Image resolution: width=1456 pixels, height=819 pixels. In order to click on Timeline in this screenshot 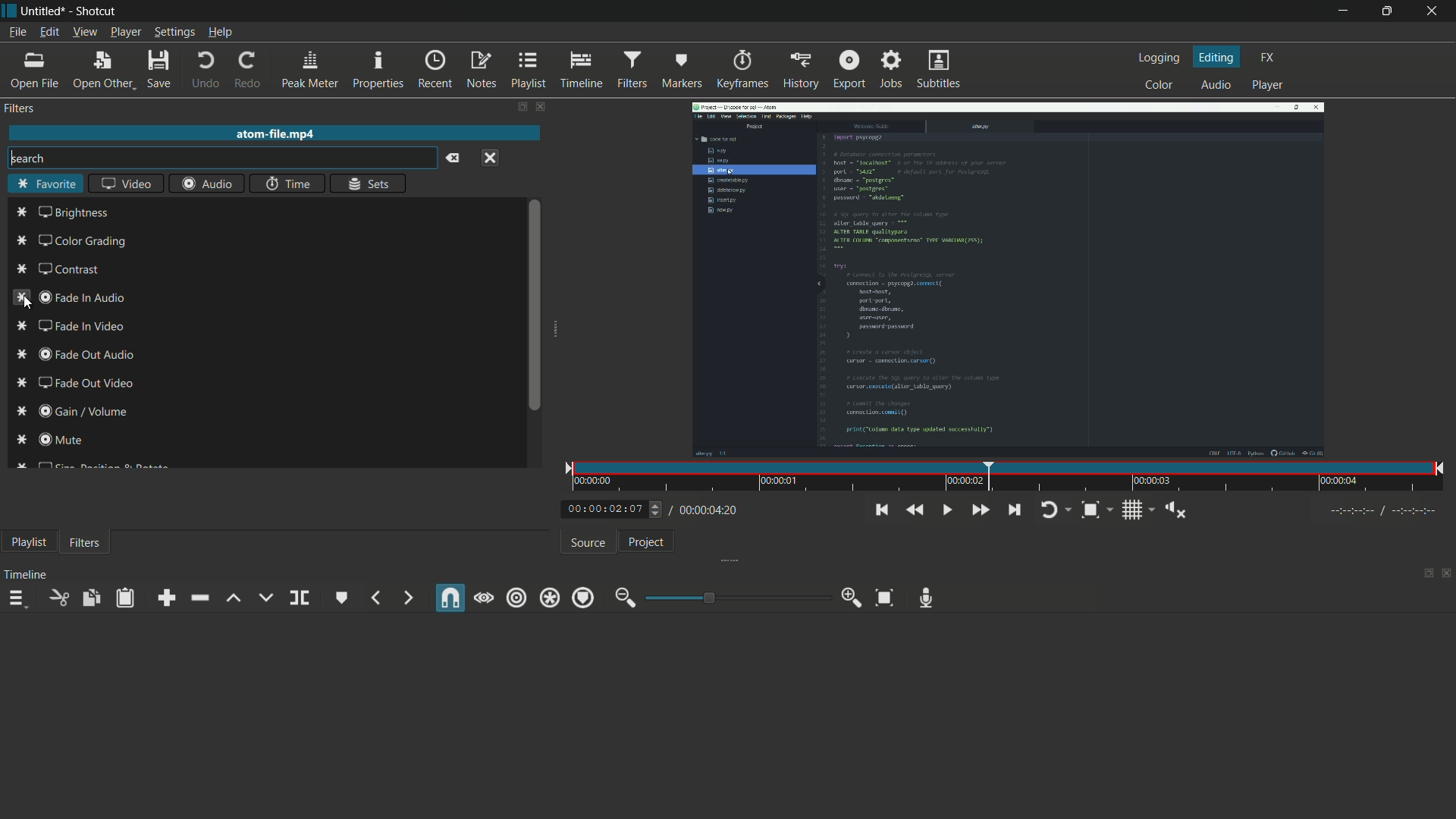, I will do `click(27, 574)`.